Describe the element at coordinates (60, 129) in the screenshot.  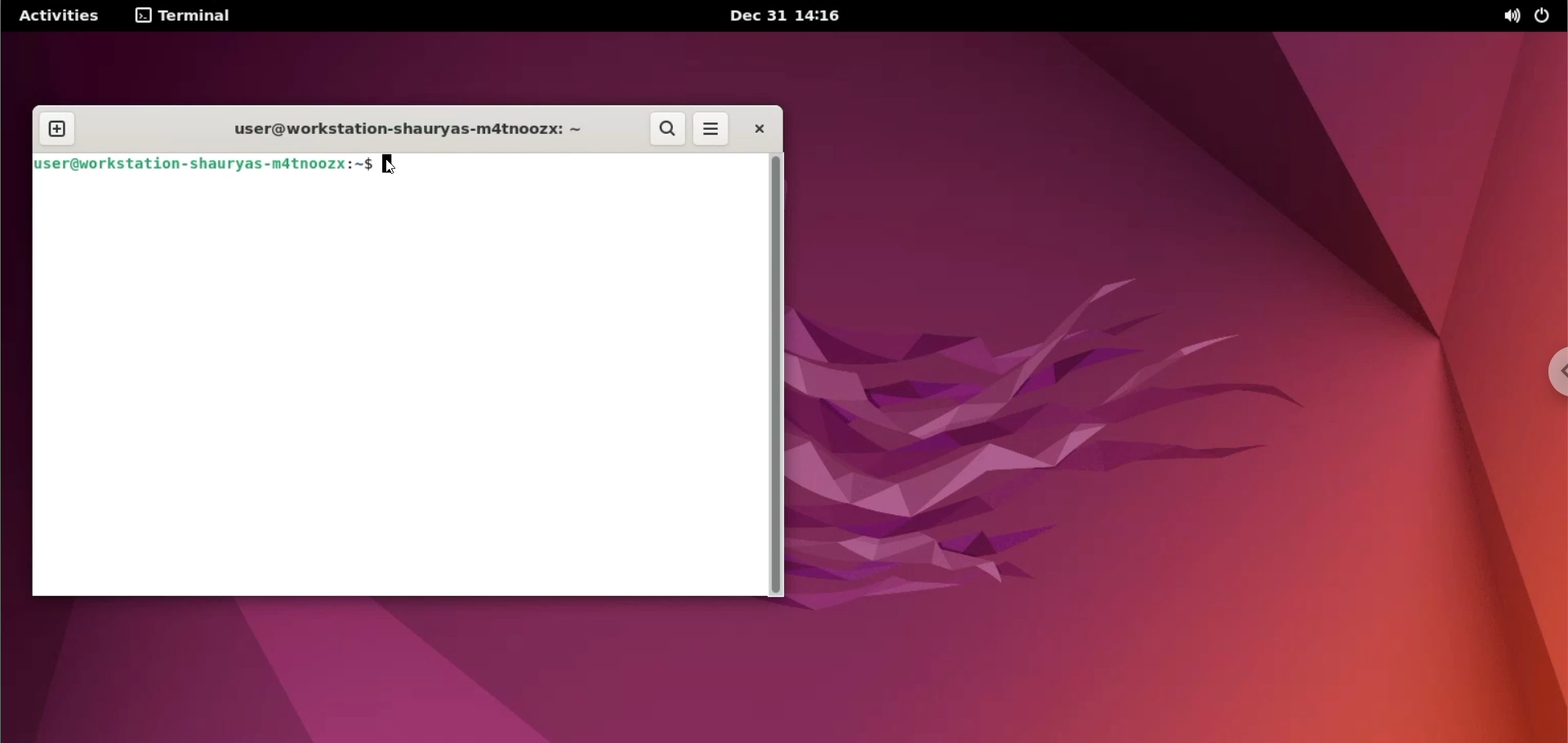
I see `new tab` at that location.